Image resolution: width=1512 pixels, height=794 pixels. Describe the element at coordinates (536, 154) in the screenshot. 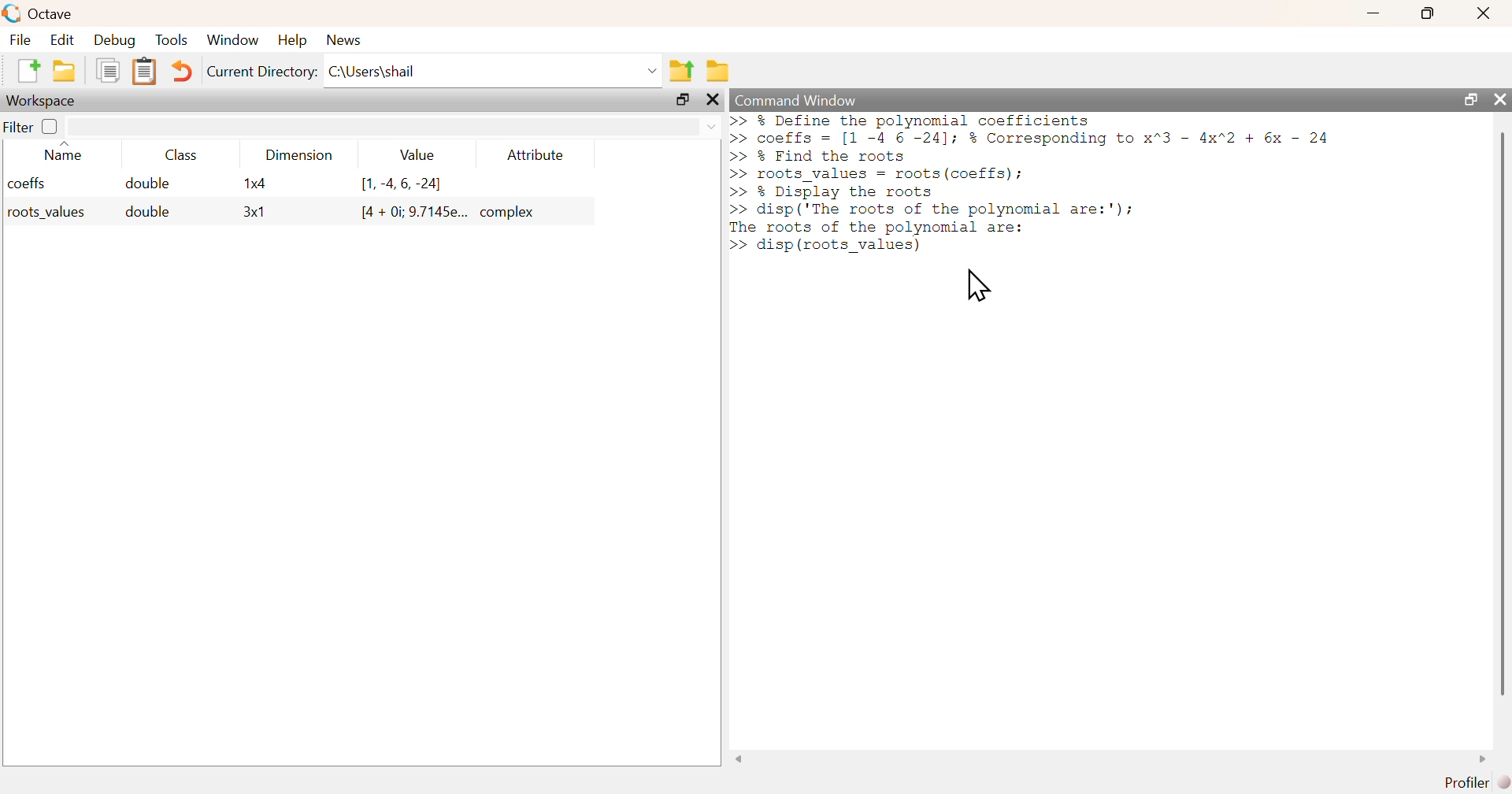

I see `Attribute` at that location.